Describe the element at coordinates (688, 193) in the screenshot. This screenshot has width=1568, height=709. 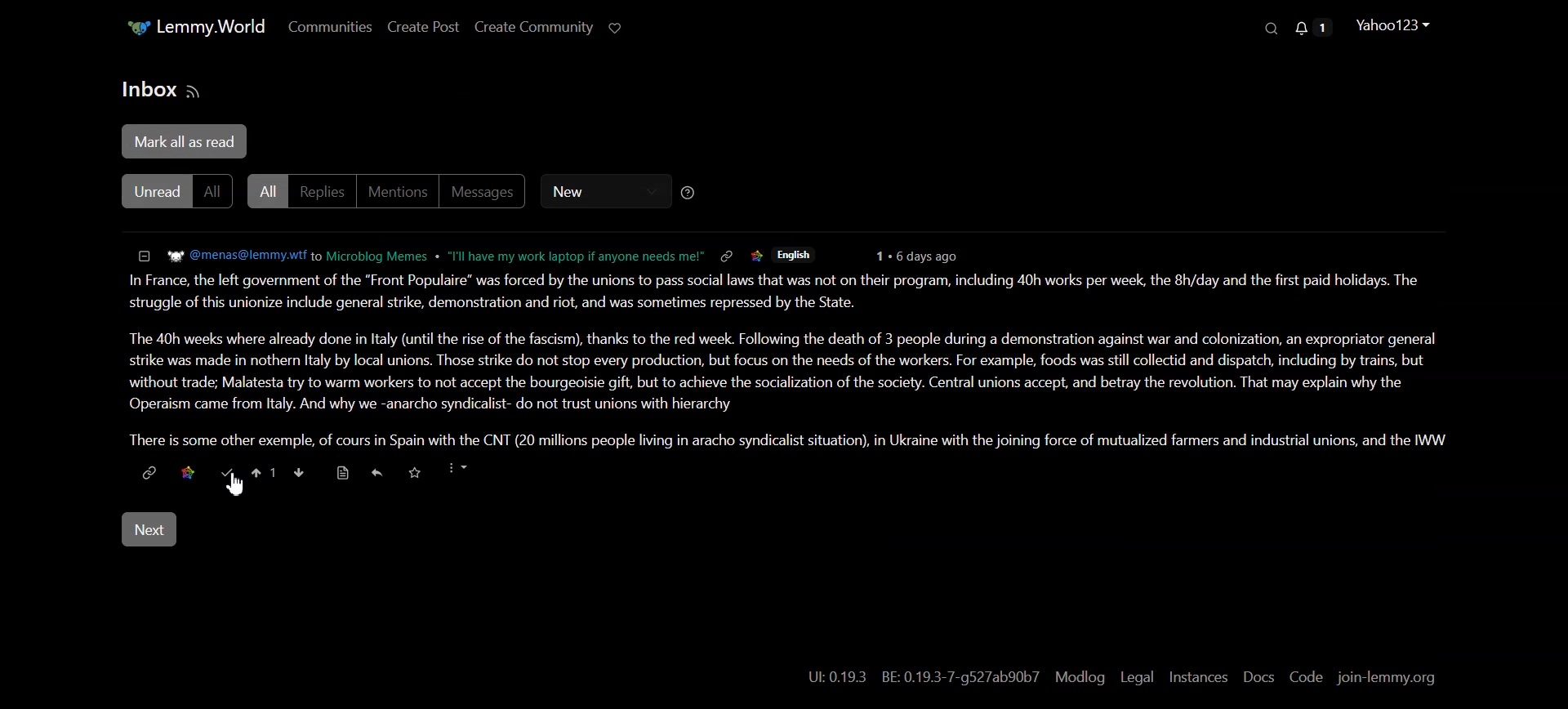
I see `Sorting Help` at that location.